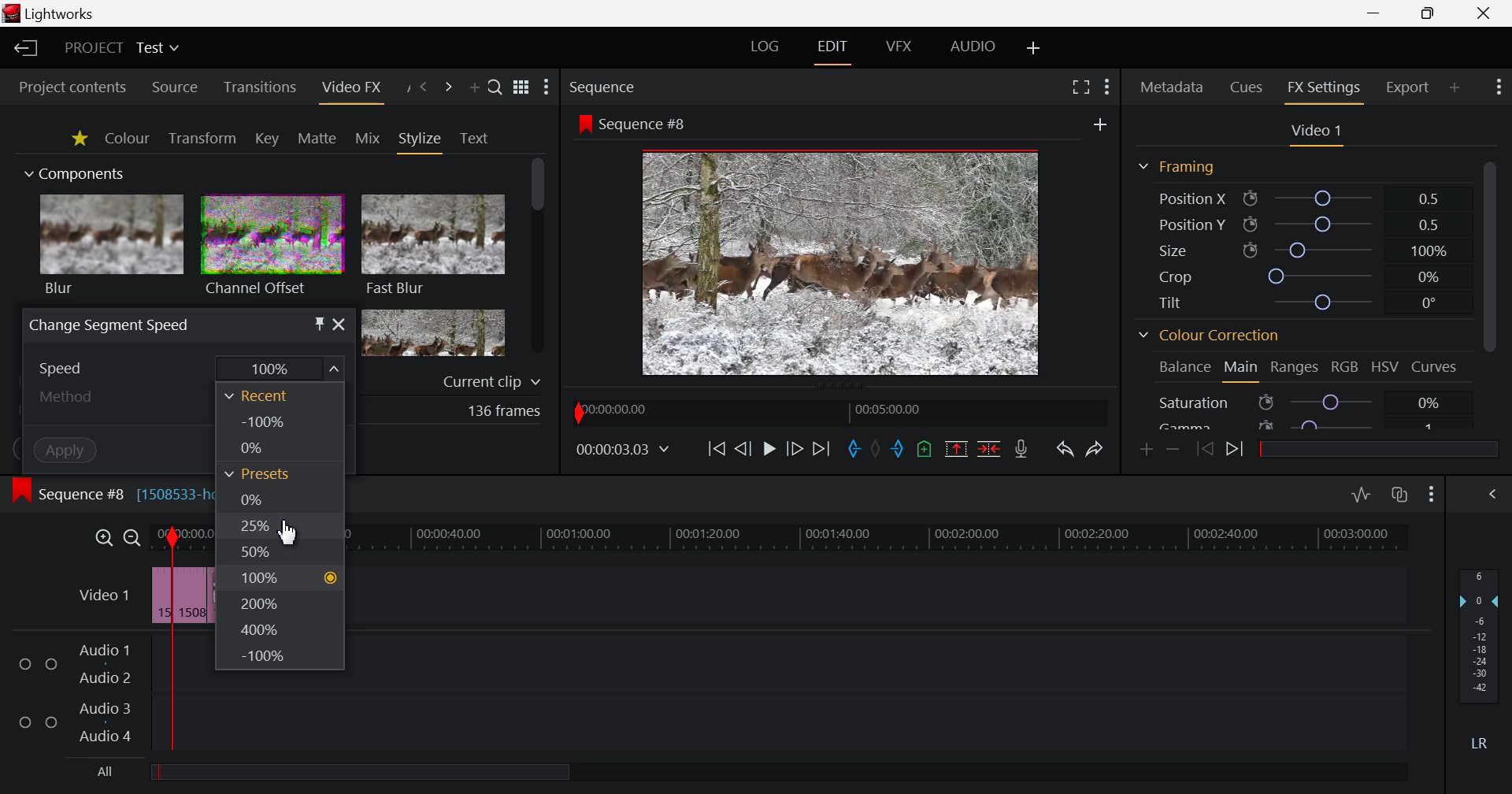 The width and height of the screenshot is (1512, 794). Describe the element at coordinates (272, 247) in the screenshot. I see `Channel Offset` at that location.